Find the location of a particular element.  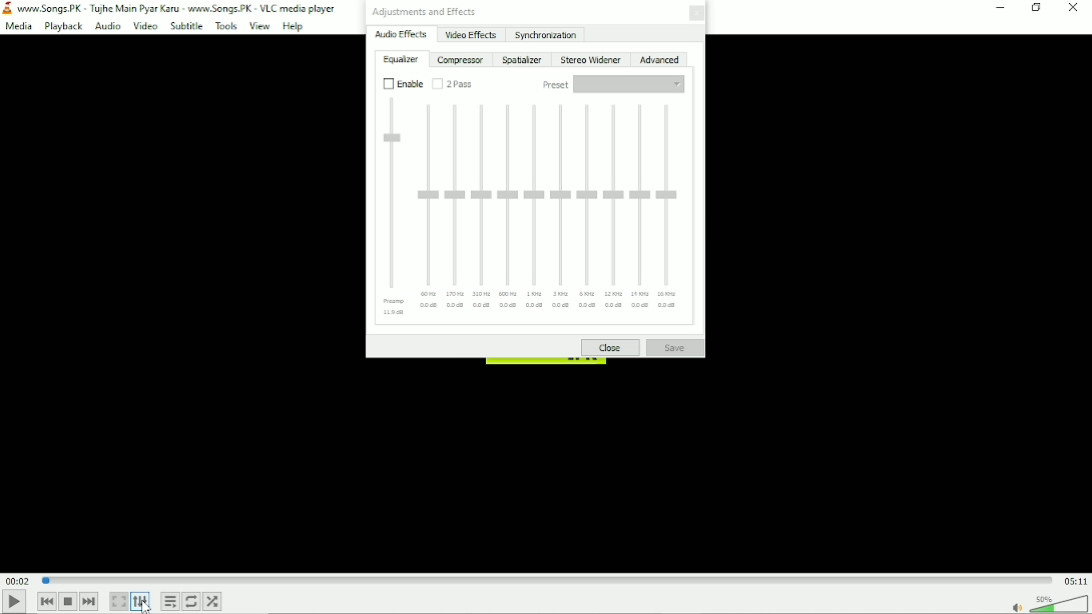

Toggle playlist is located at coordinates (170, 601).